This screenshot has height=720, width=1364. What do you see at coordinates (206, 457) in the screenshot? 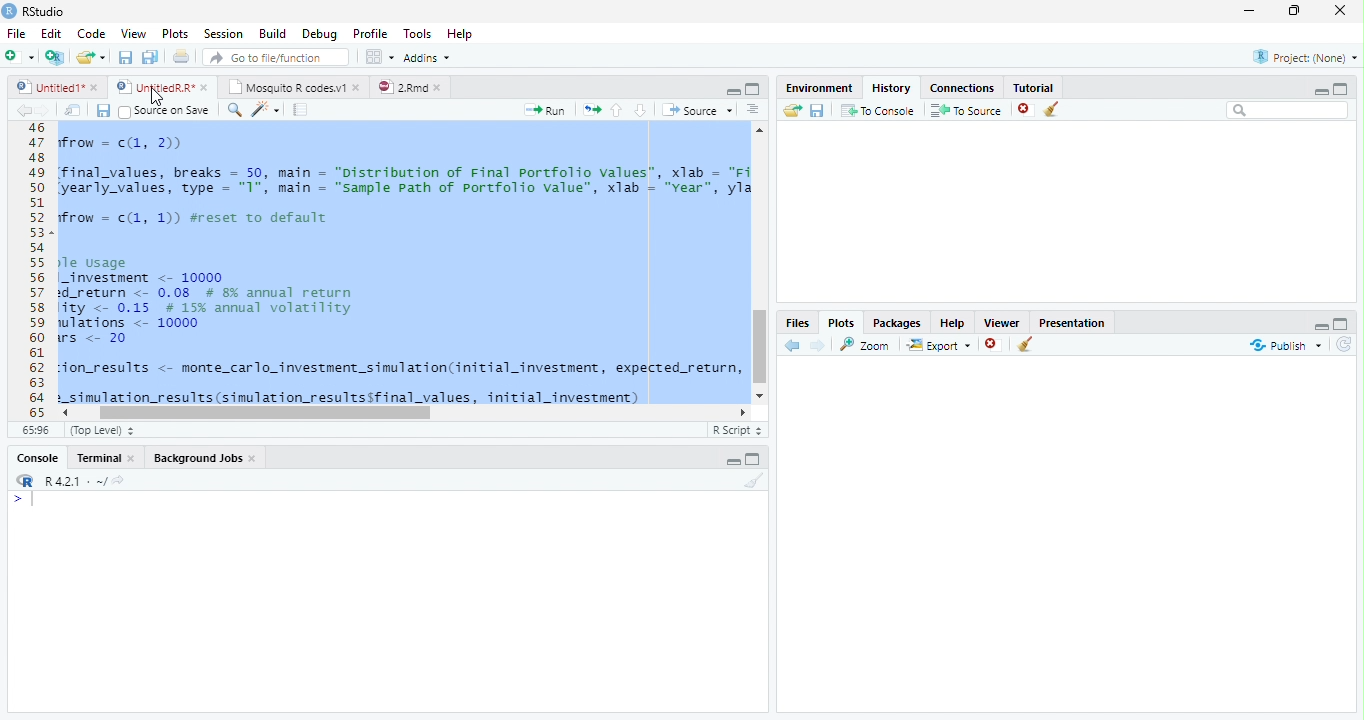
I see `Background Jobs.` at bounding box center [206, 457].